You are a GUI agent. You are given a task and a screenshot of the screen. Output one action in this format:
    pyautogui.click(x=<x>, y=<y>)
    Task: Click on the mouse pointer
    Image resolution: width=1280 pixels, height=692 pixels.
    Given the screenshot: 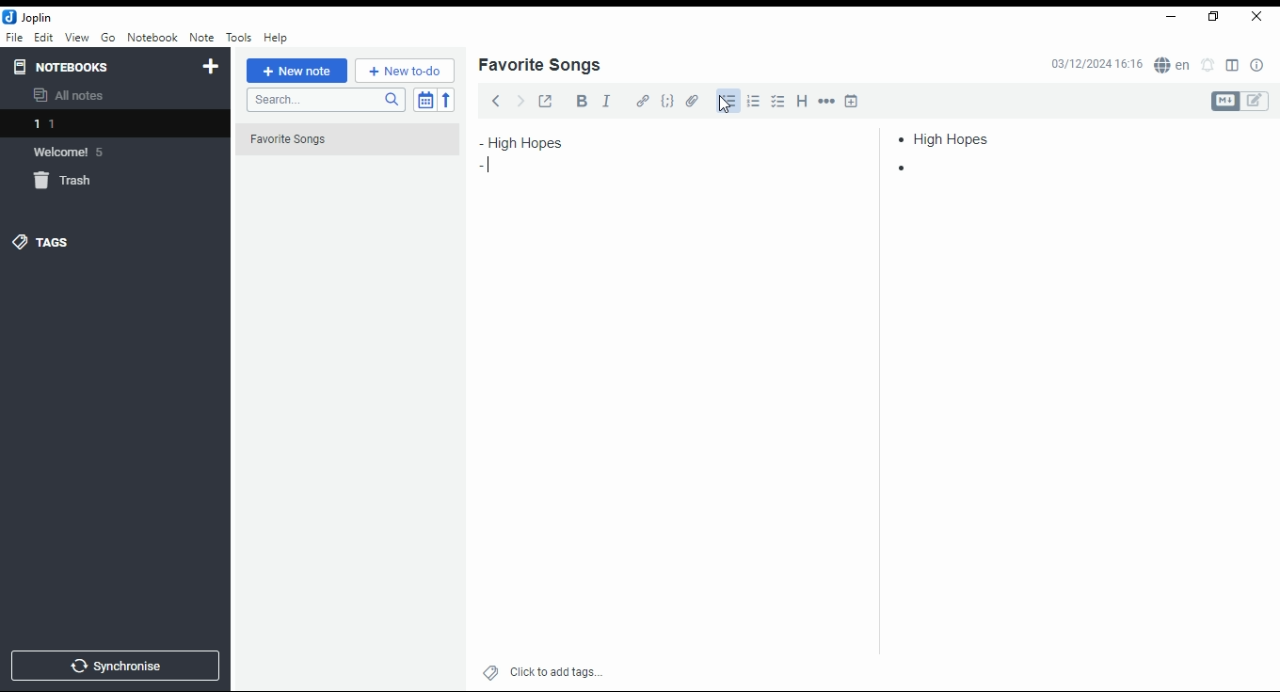 What is the action you would take?
    pyautogui.click(x=725, y=104)
    